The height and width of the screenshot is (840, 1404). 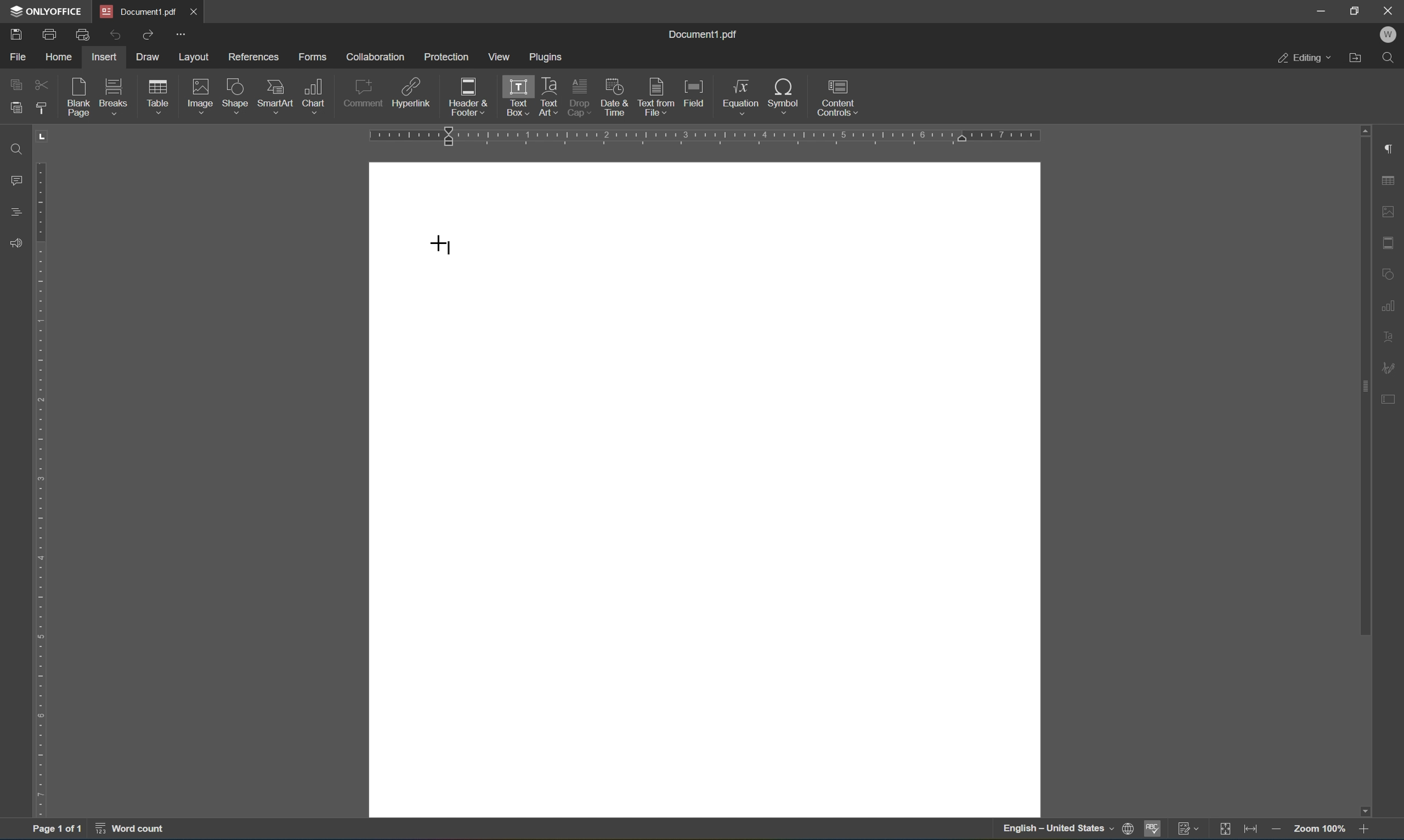 I want to click on fit to width , so click(x=1251, y=831).